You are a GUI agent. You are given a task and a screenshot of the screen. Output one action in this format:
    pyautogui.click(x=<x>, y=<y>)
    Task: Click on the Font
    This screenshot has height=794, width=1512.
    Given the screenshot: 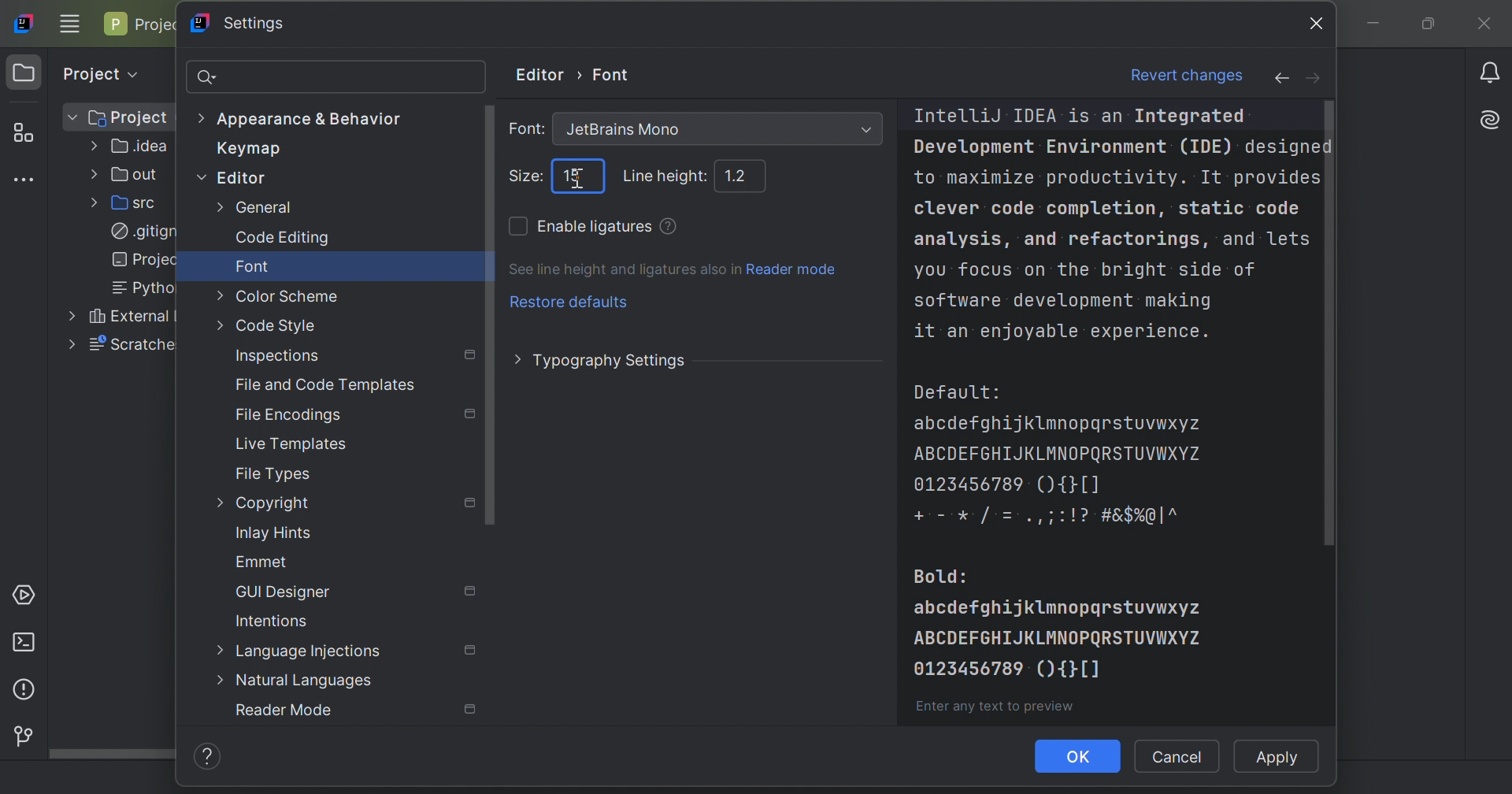 What is the action you would take?
    pyautogui.click(x=614, y=72)
    